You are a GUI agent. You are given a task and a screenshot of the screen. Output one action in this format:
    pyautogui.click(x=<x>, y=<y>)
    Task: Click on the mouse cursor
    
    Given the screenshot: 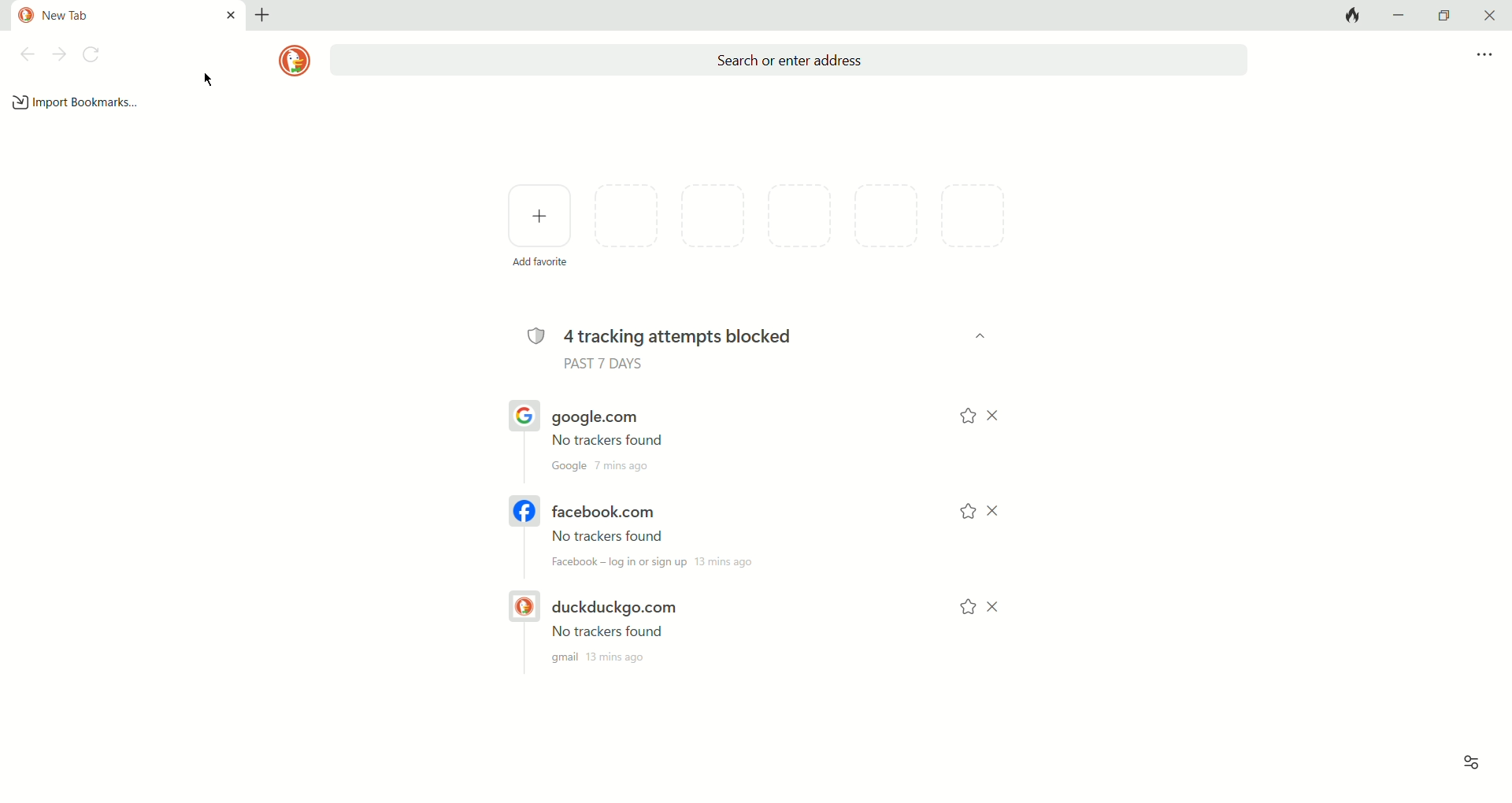 What is the action you would take?
    pyautogui.click(x=205, y=72)
    